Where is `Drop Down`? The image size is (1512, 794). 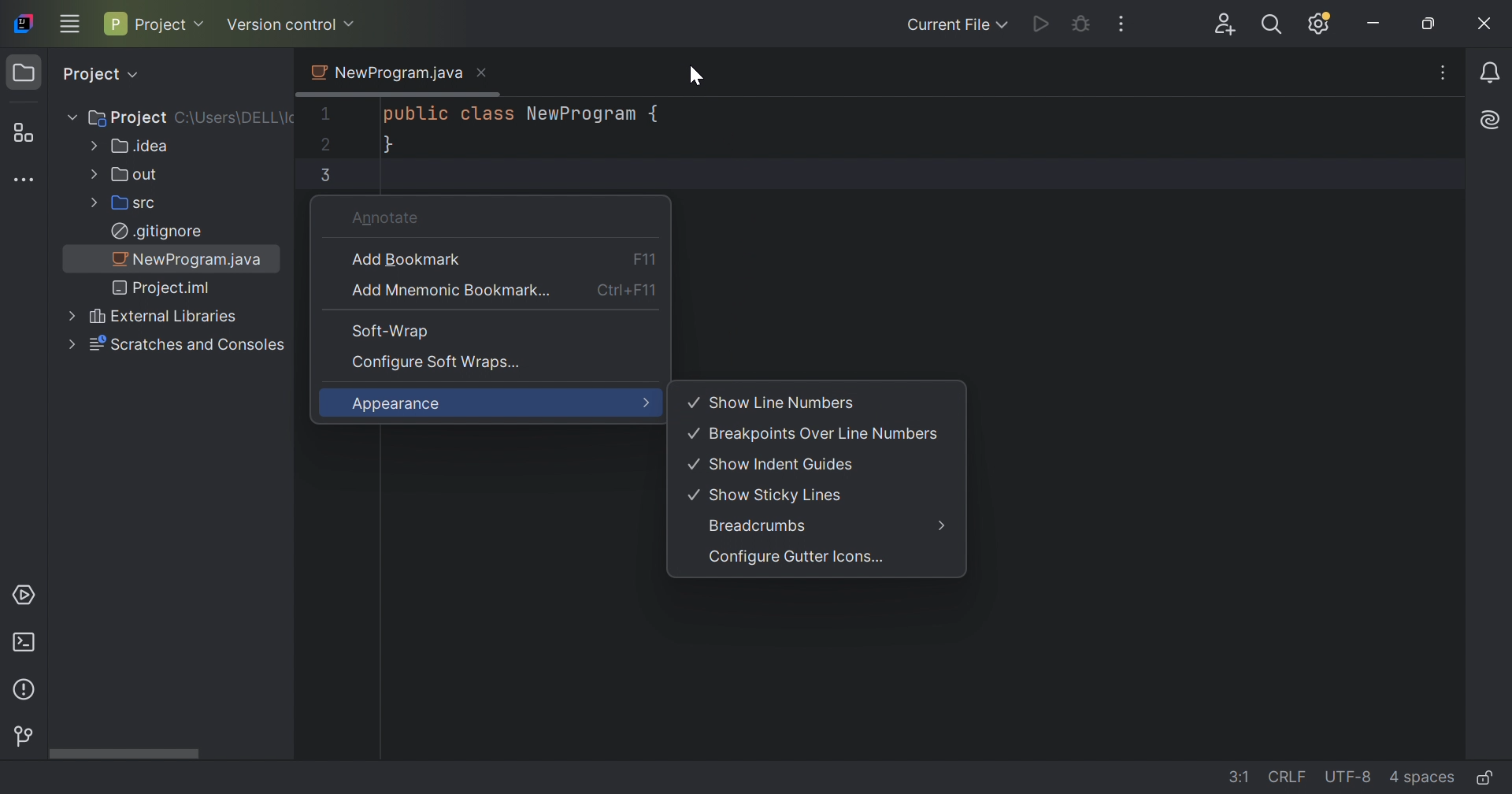 Drop Down is located at coordinates (69, 314).